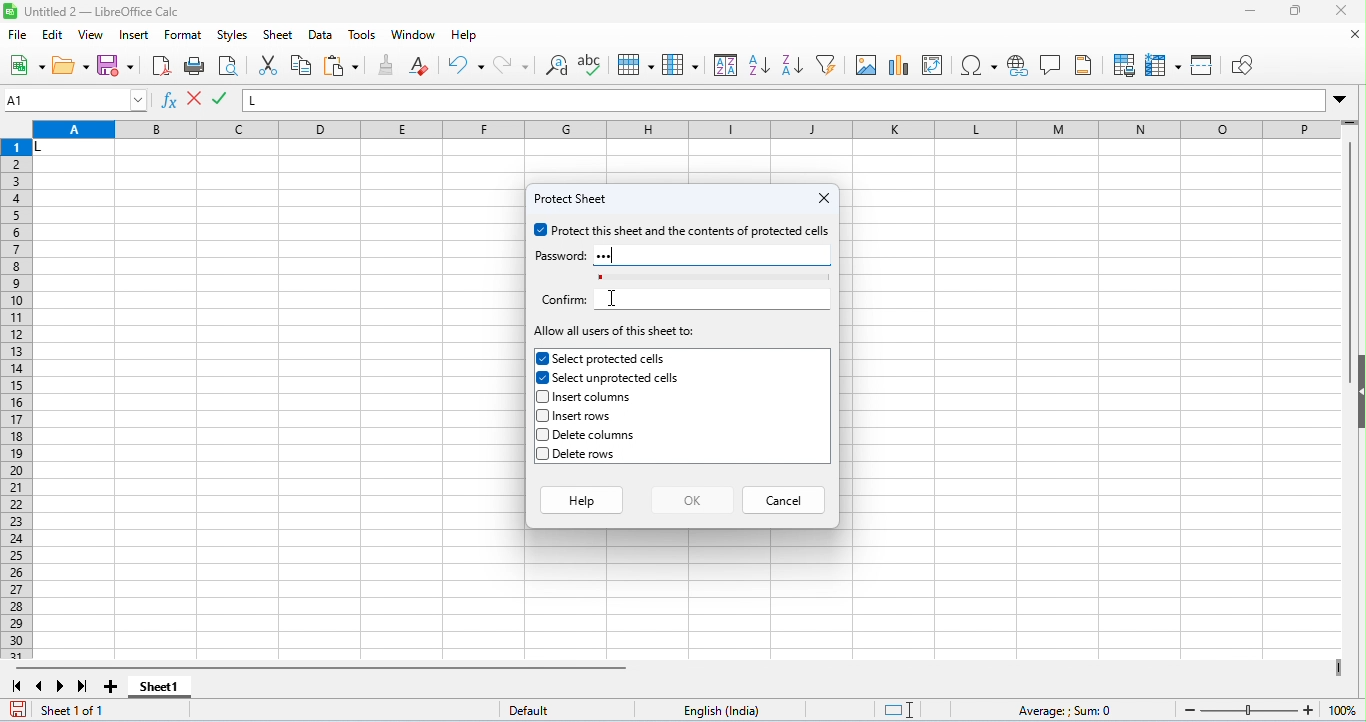 The image size is (1366, 722). Describe the element at coordinates (577, 416) in the screenshot. I see `insert rows` at that location.